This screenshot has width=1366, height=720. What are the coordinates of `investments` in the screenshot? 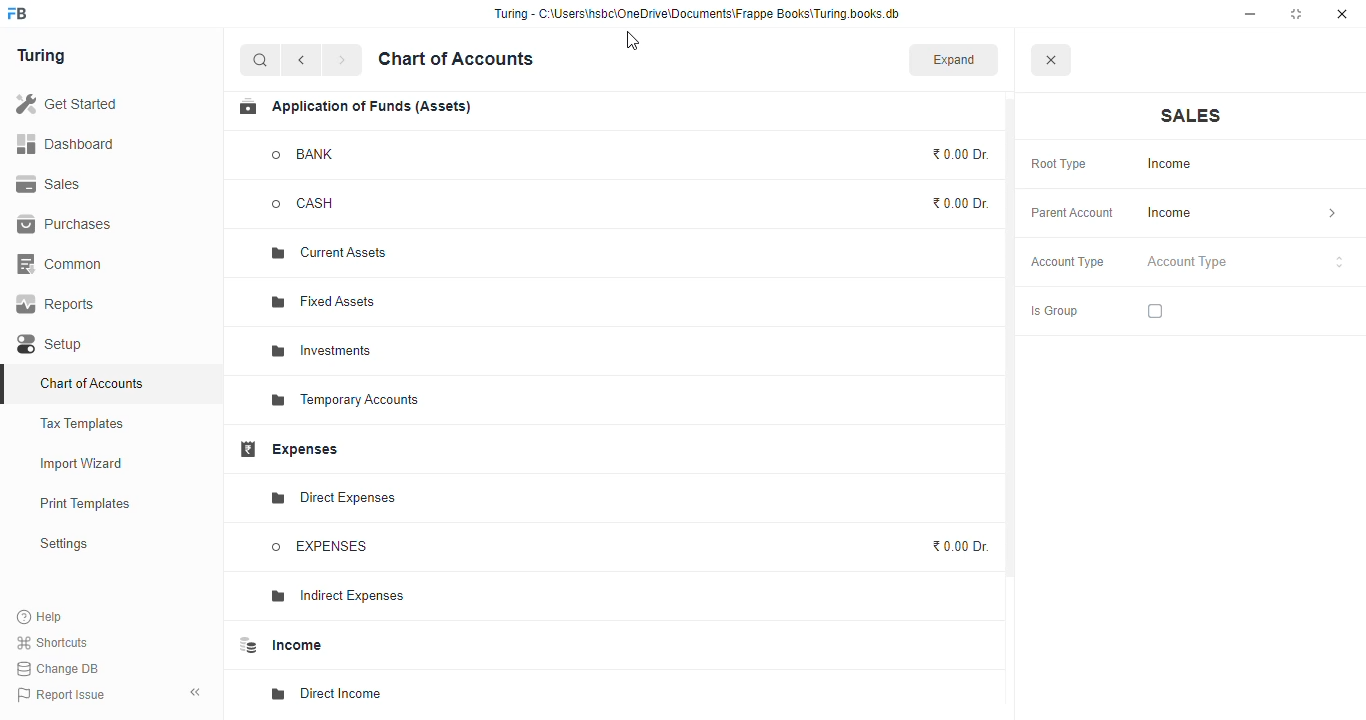 It's located at (321, 351).